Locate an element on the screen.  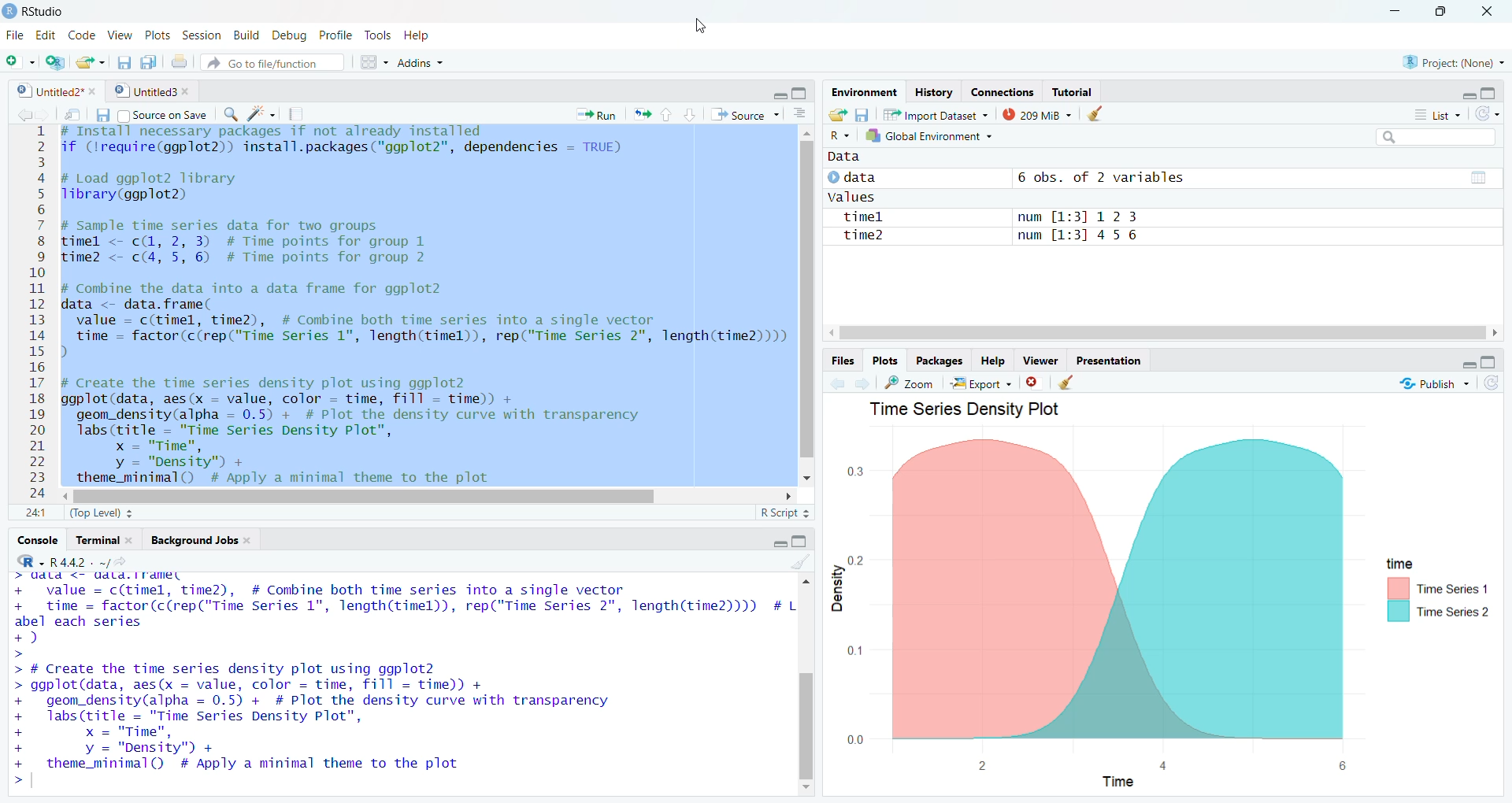
Environment is located at coordinates (864, 92).